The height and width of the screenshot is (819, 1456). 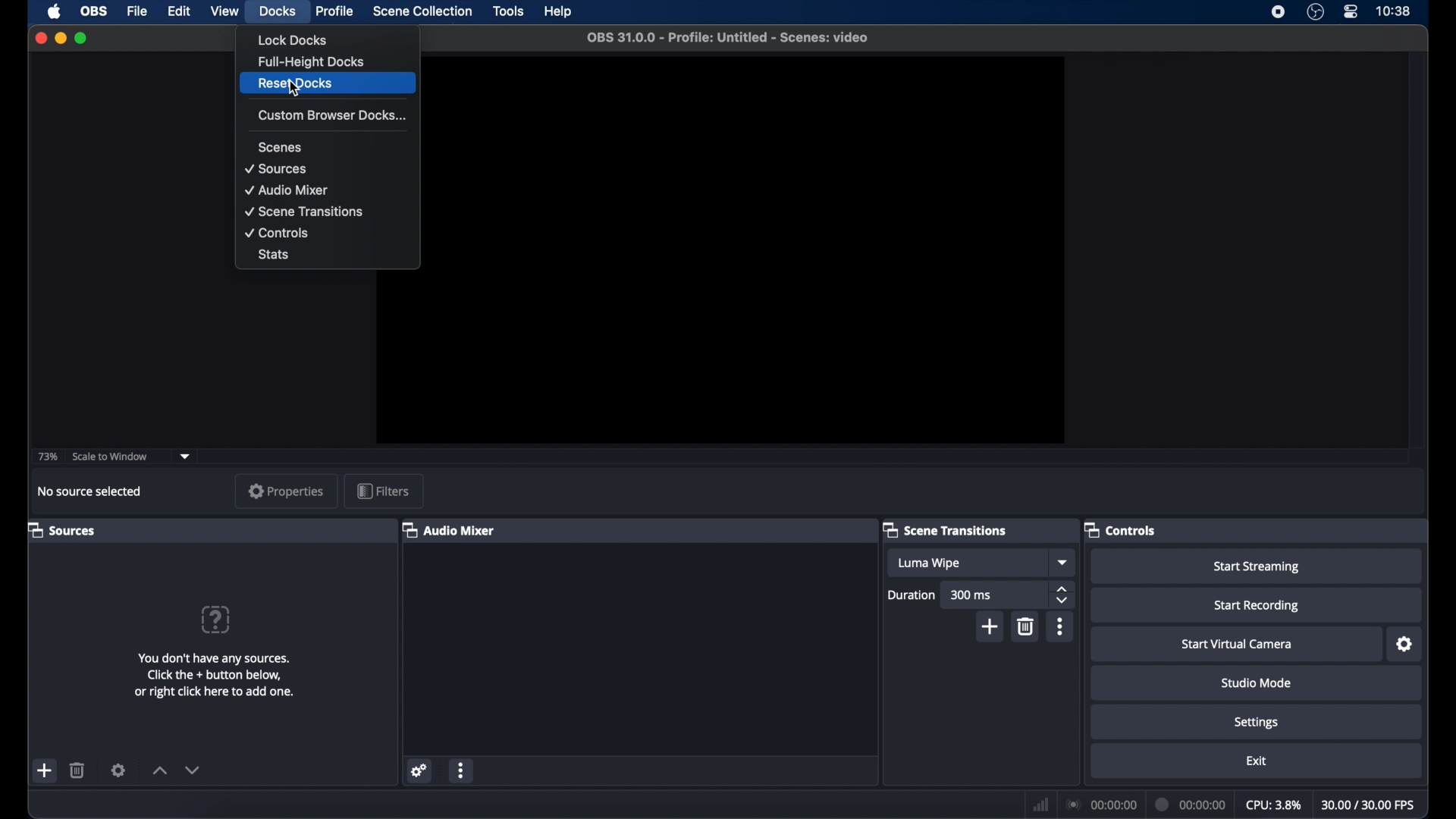 I want to click on add, so click(x=991, y=626).